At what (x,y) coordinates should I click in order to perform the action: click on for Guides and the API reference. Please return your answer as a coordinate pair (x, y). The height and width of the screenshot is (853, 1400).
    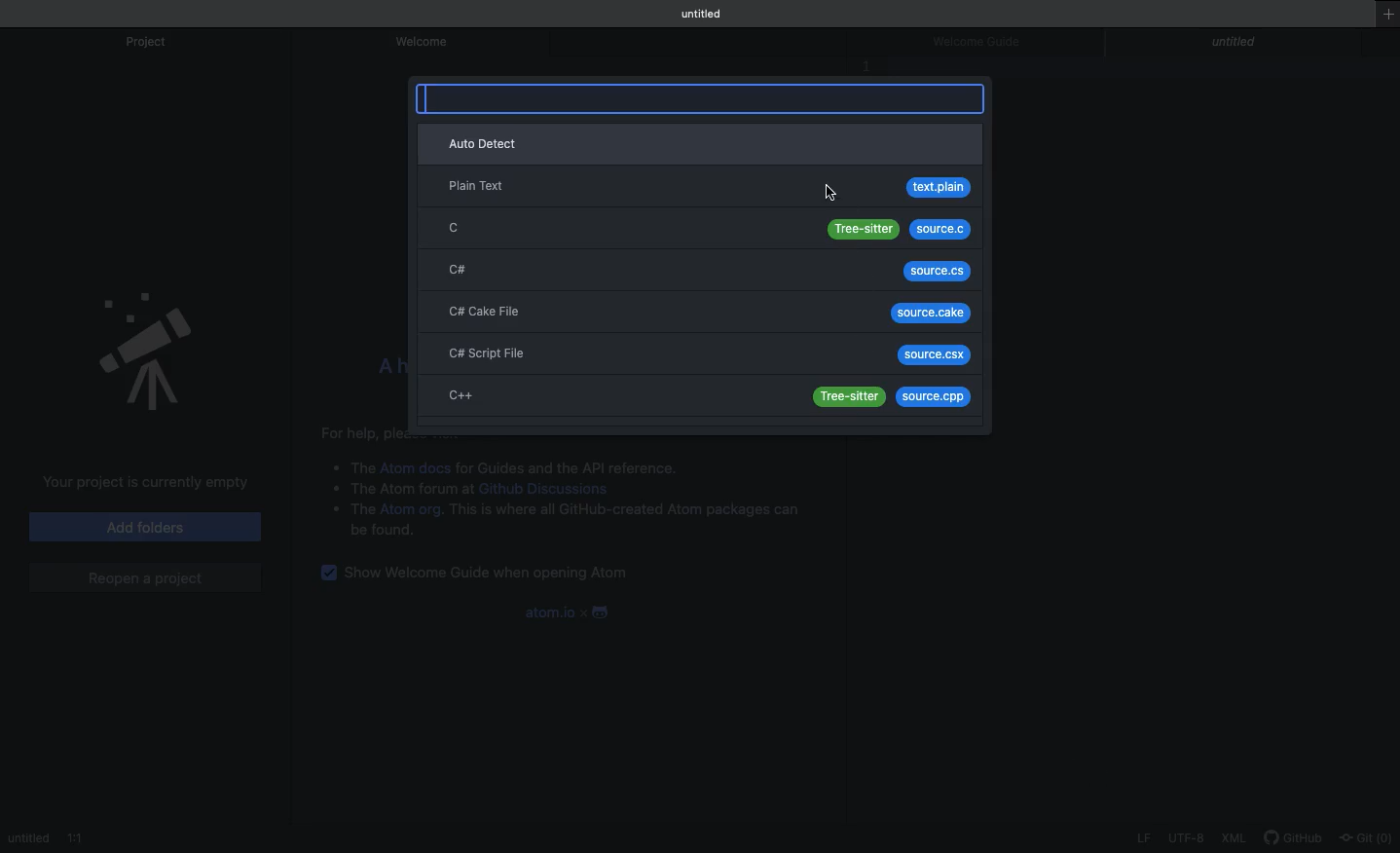
    Looking at the image, I should click on (573, 466).